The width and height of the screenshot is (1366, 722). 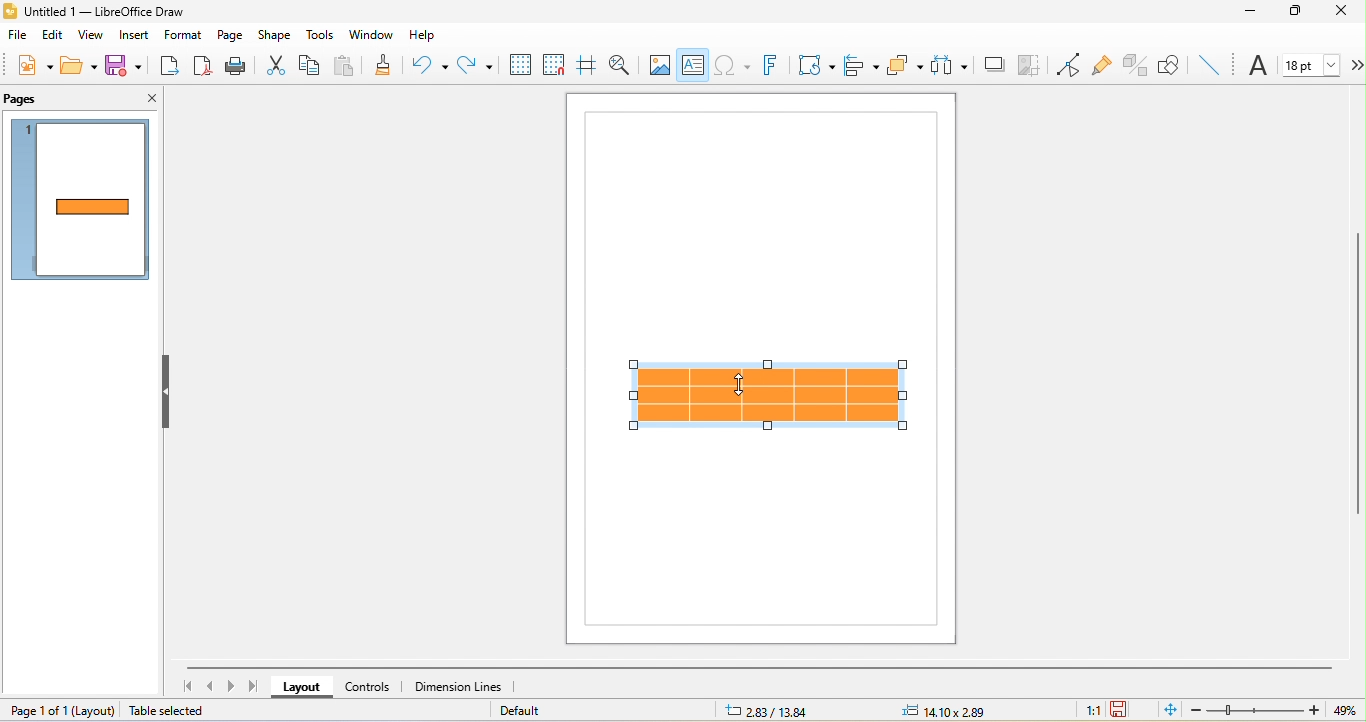 I want to click on paste, so click(x=348, y=65).